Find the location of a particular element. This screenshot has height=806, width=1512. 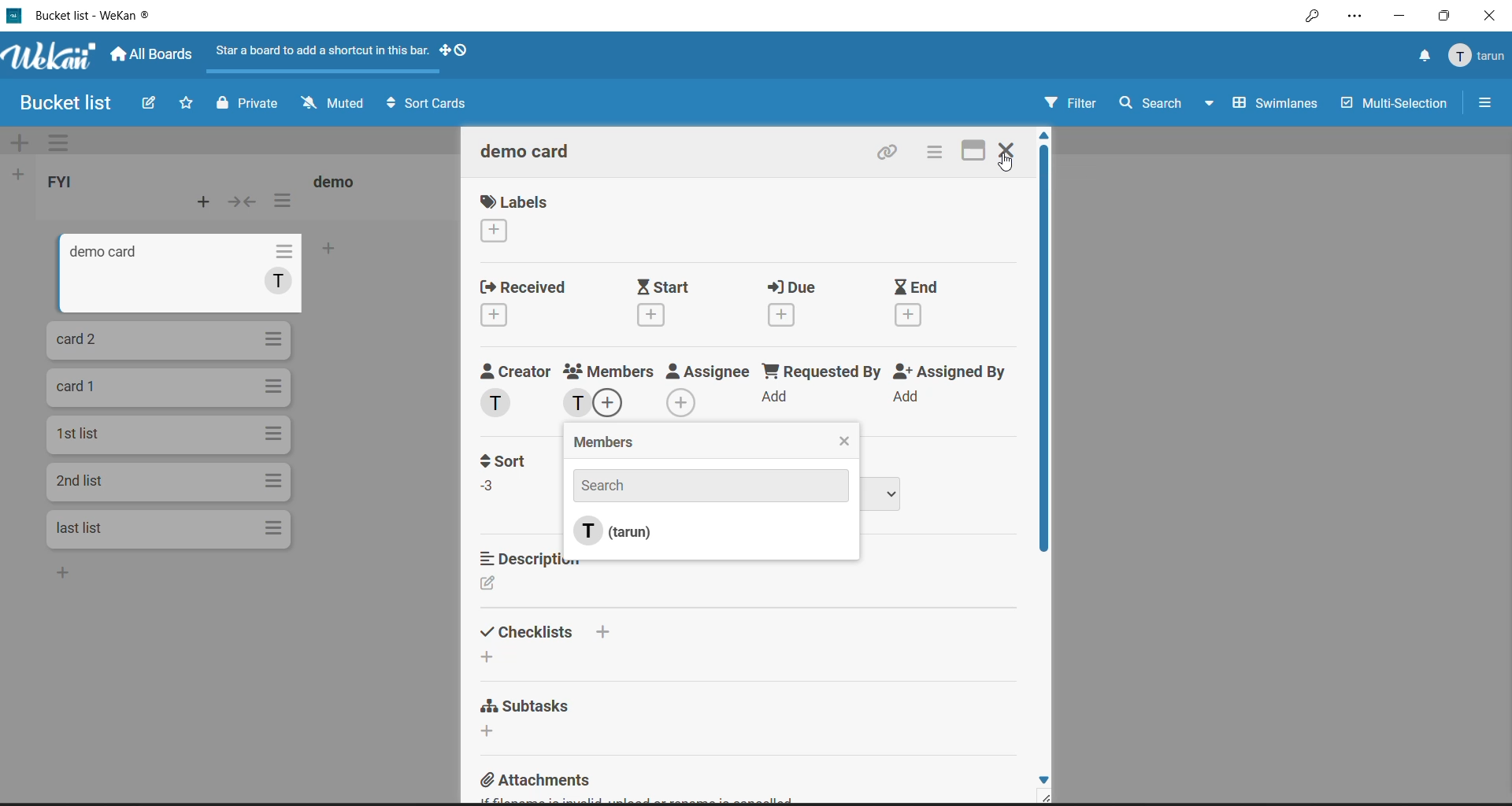

list of members is located at coordinates (630, 523).